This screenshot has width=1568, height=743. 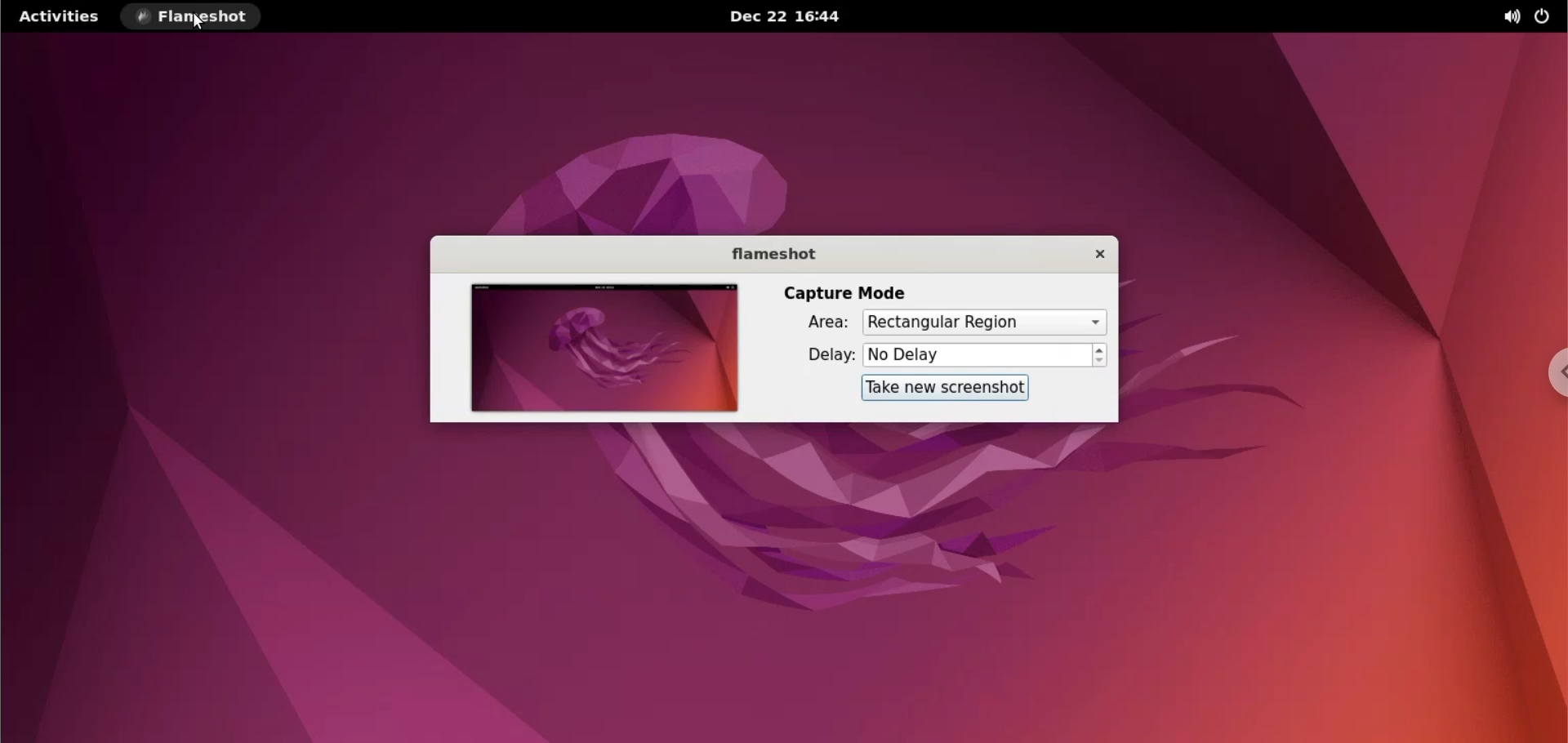 I want to click on Area:, so click(x=817, y=323).